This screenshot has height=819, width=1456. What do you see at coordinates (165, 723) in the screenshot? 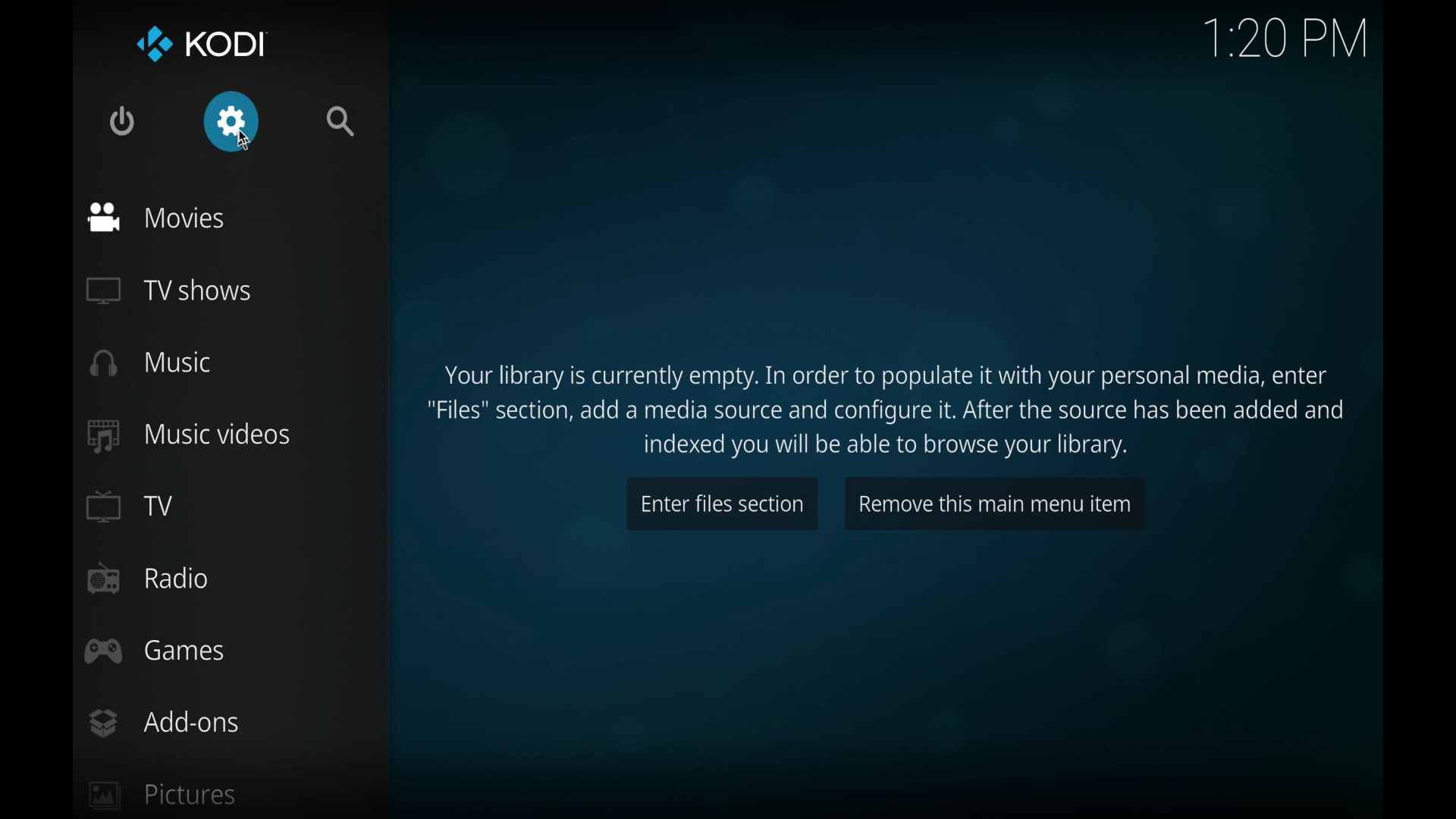
I see `add-ons` at bounding box center [165, 723].